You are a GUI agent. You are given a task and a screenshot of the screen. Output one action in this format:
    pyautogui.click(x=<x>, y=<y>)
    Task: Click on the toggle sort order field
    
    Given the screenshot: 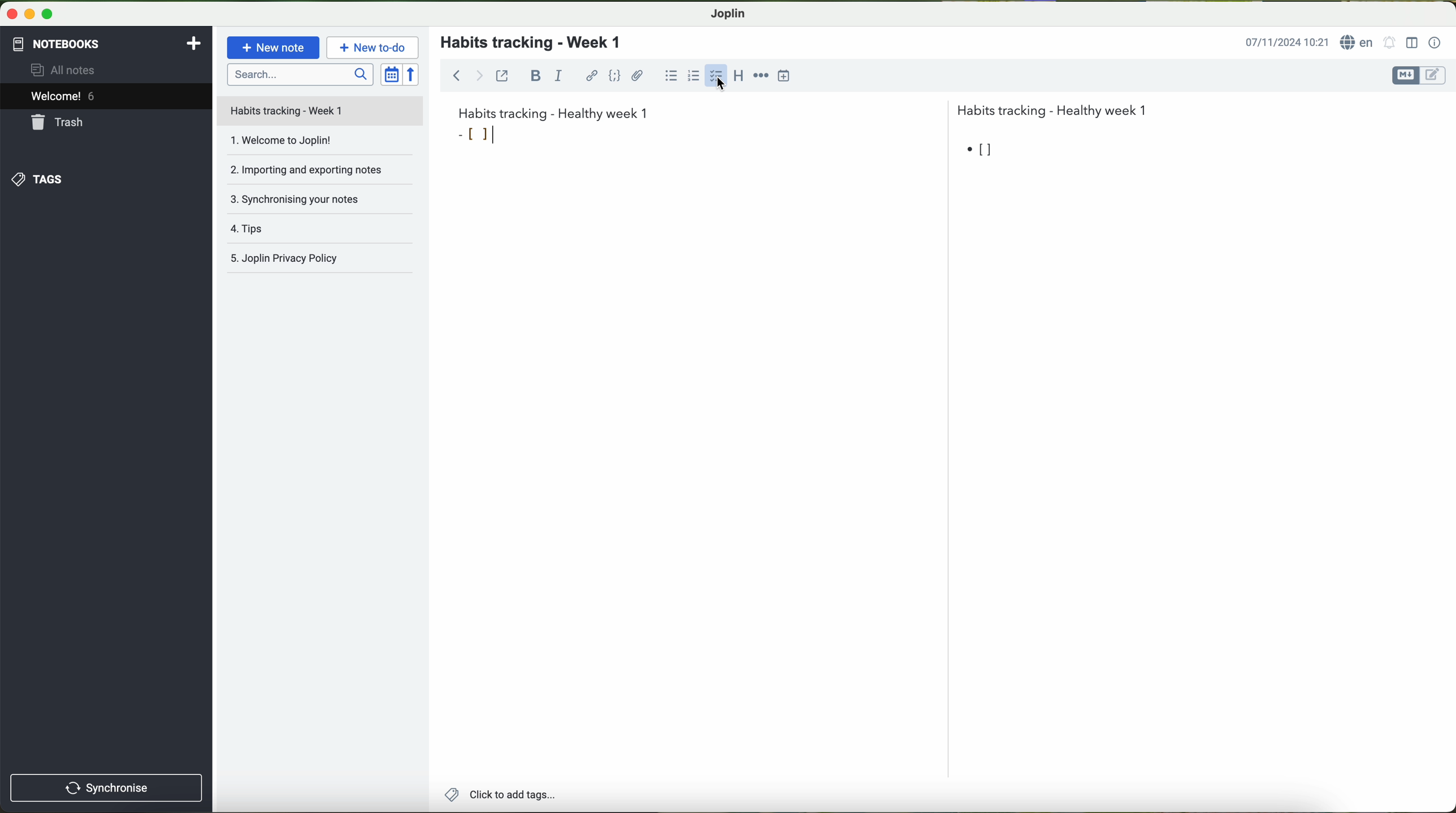 What is the action you would take?
    pyautogui.click(x=391, y=74)
    